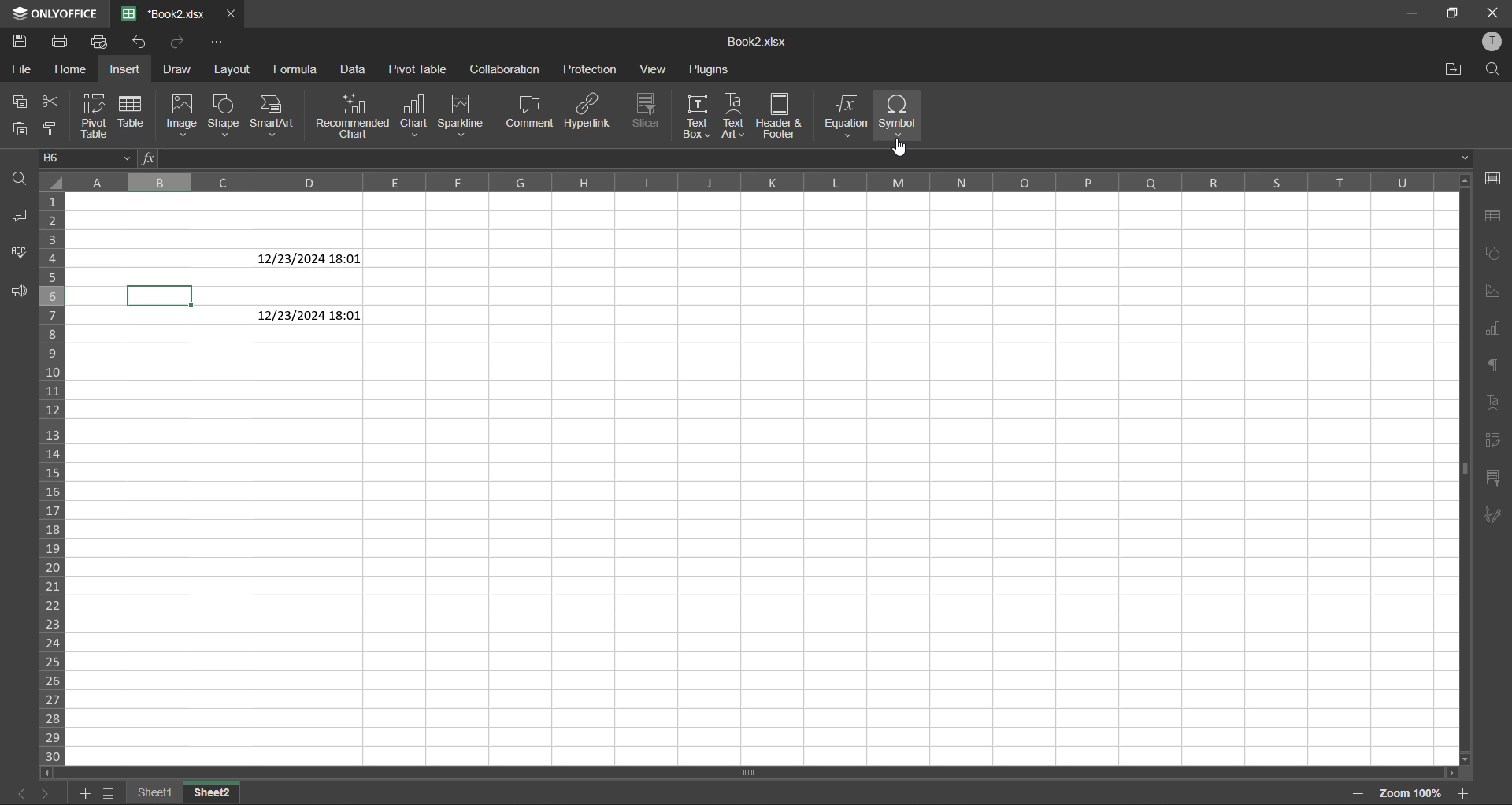 Image resolution: width=1512 pixels, height=805 pixels. What do you see at coordinates (162, 15) in the screenshot?
I see `book2.xlsx` at bounding box center [162, 15].